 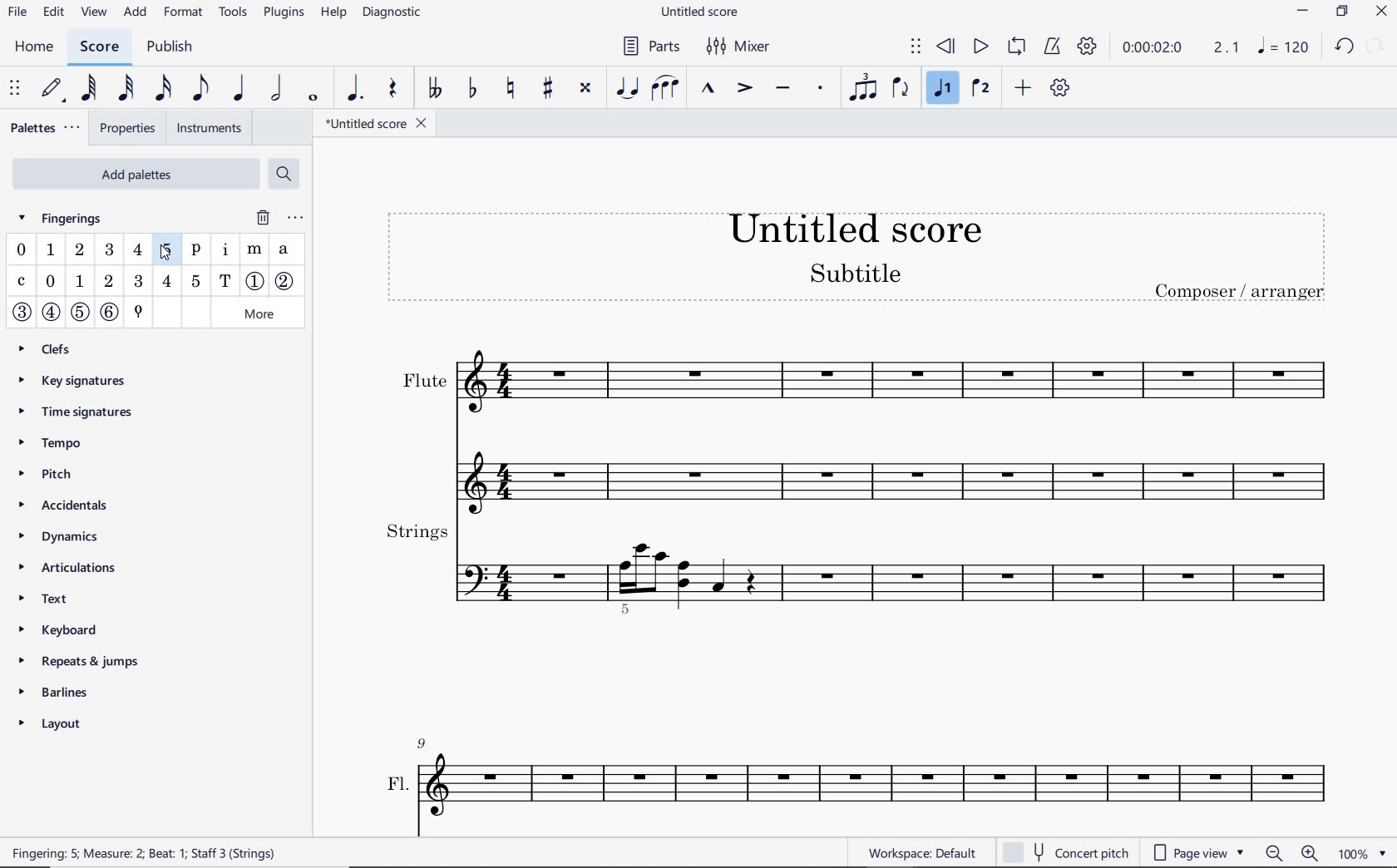 I want to click on playback settings, so click(x=1088, y=47).